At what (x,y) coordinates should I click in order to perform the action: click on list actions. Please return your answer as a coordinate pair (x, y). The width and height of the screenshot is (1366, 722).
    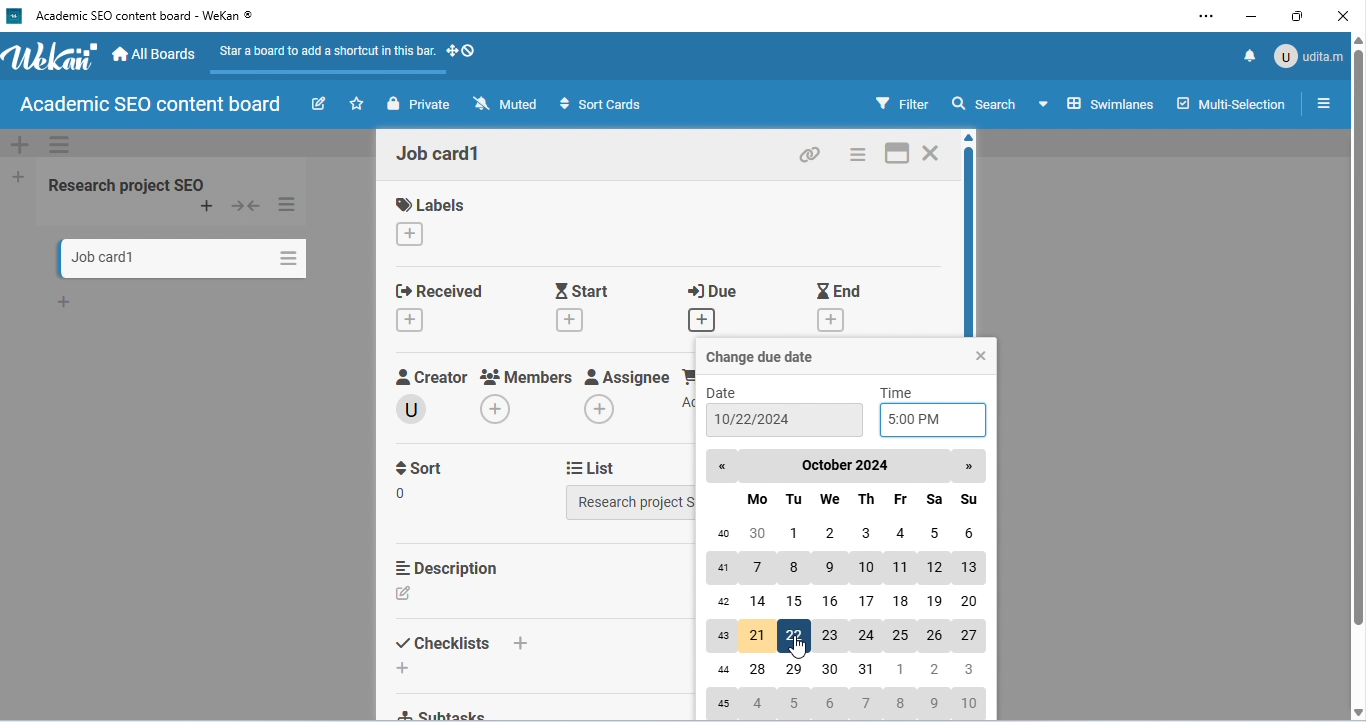
    Looking at the image, I should click on (289, 205).